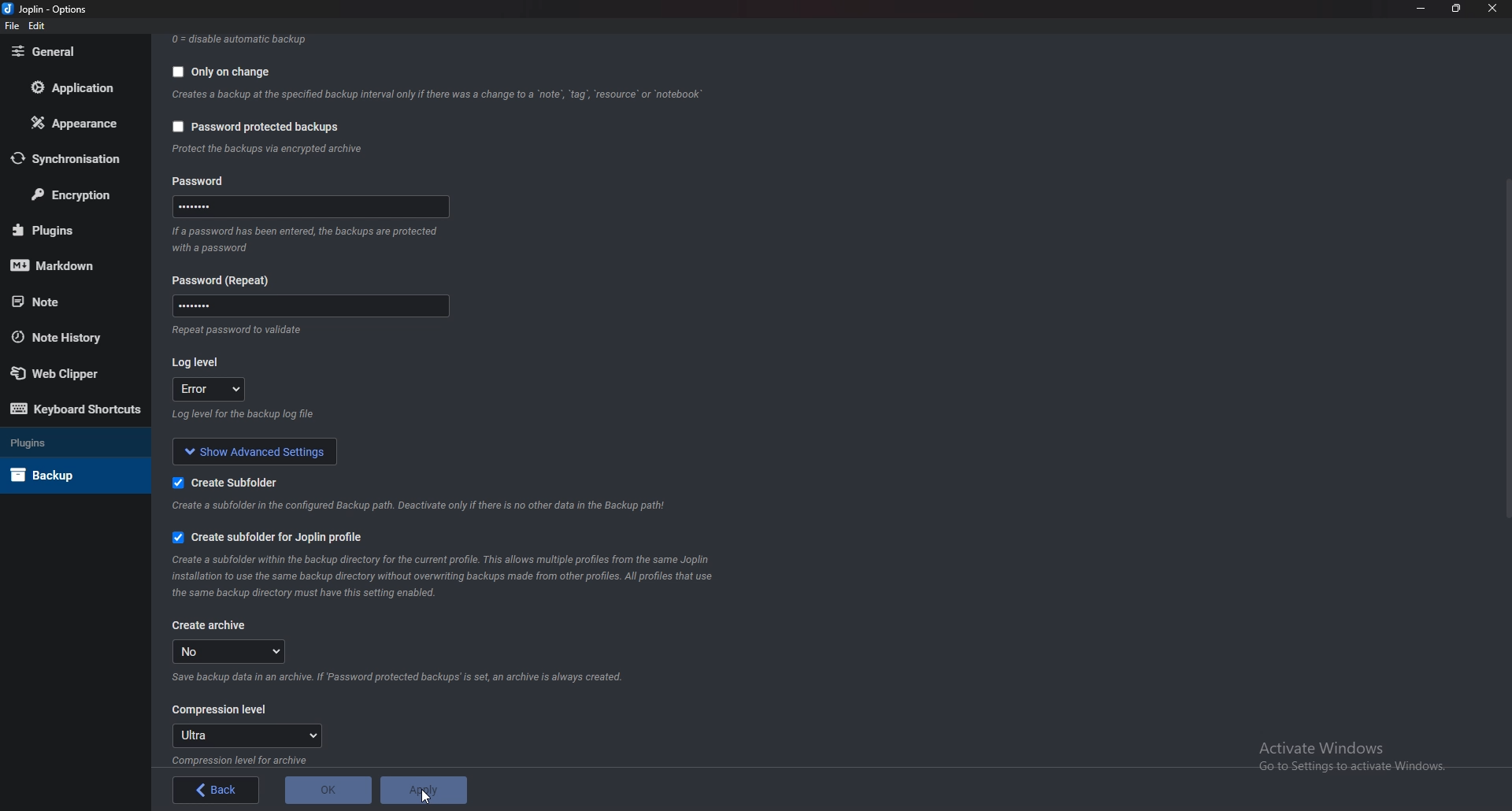  What do you see at coordinates (69, 474) in the screenshot?
I see `Back up` at bounding box center [69, 474].